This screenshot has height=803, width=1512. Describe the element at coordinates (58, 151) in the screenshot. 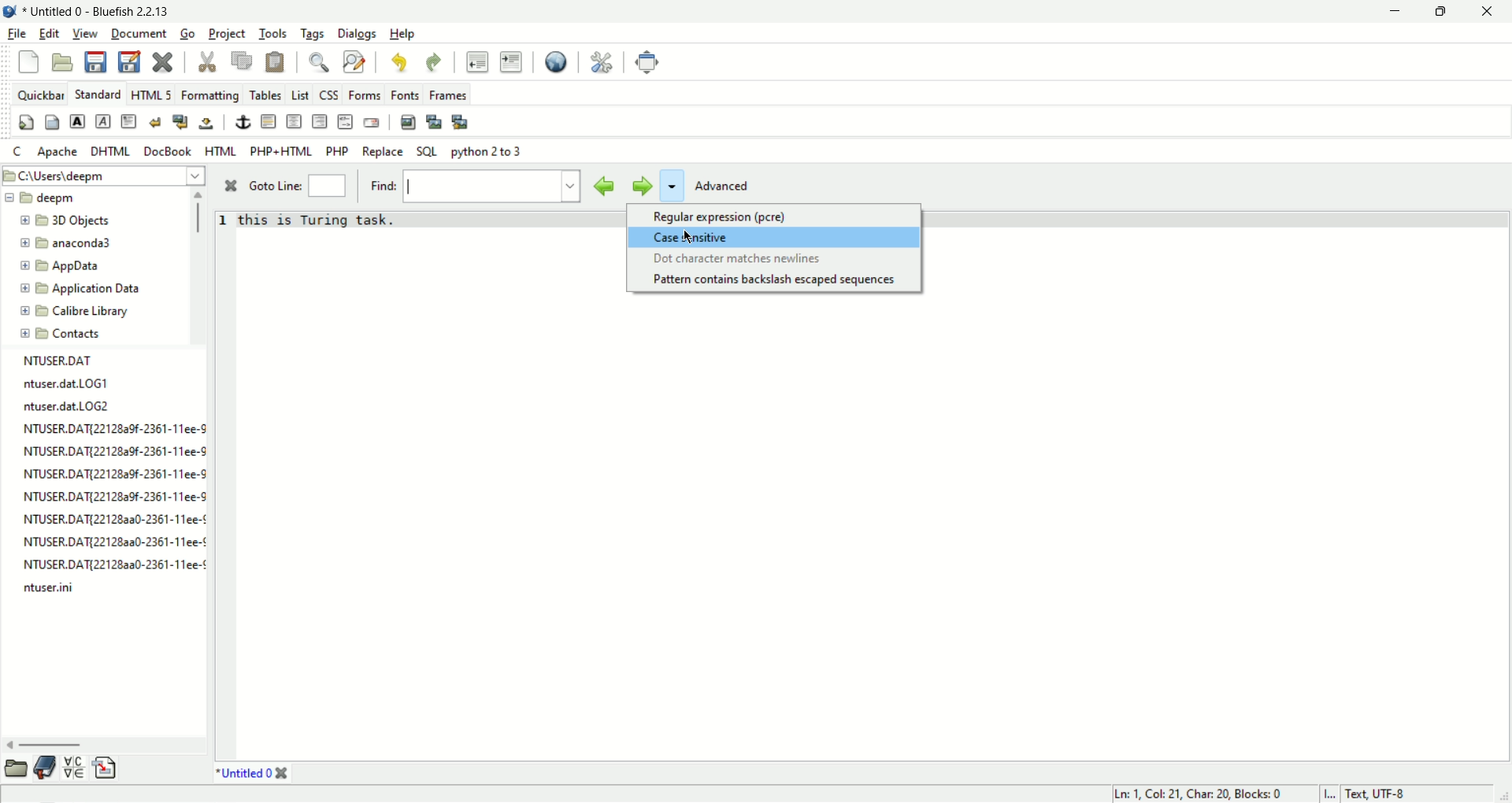

I see `apache` at that location.